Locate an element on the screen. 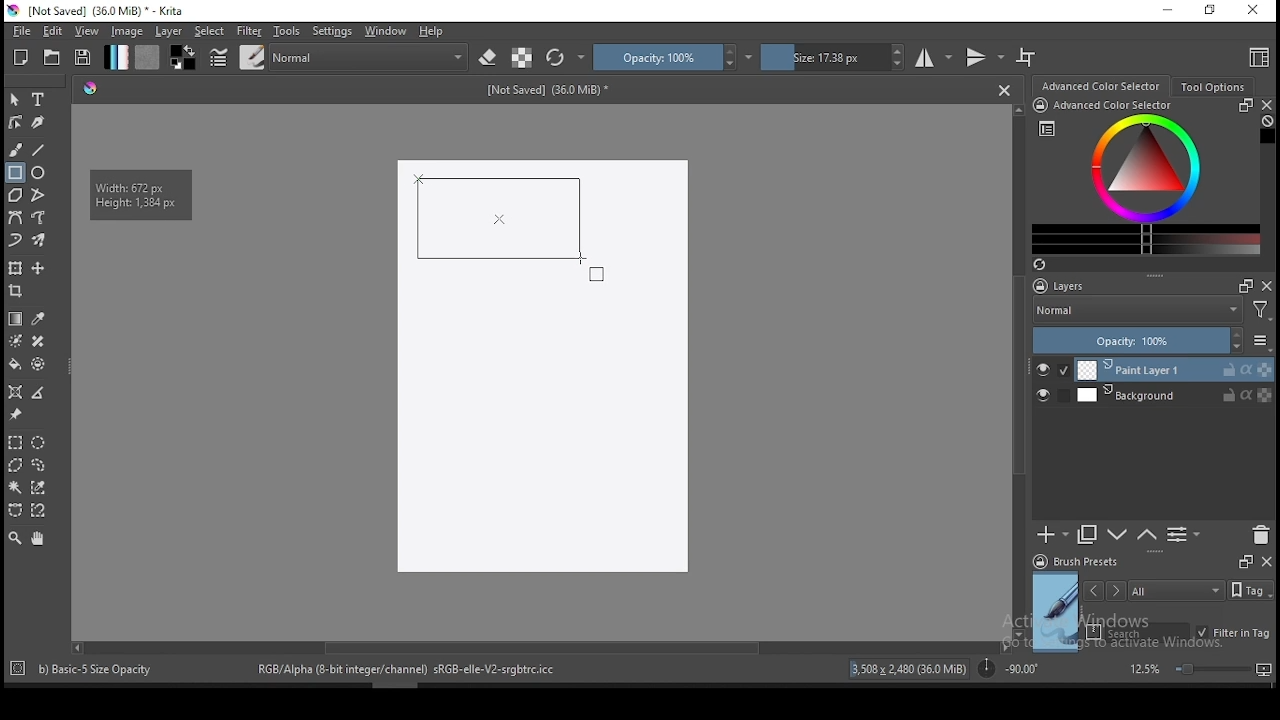 This screenshot has width=1280, height=720. opacity is located at coordinates (1150, 342).